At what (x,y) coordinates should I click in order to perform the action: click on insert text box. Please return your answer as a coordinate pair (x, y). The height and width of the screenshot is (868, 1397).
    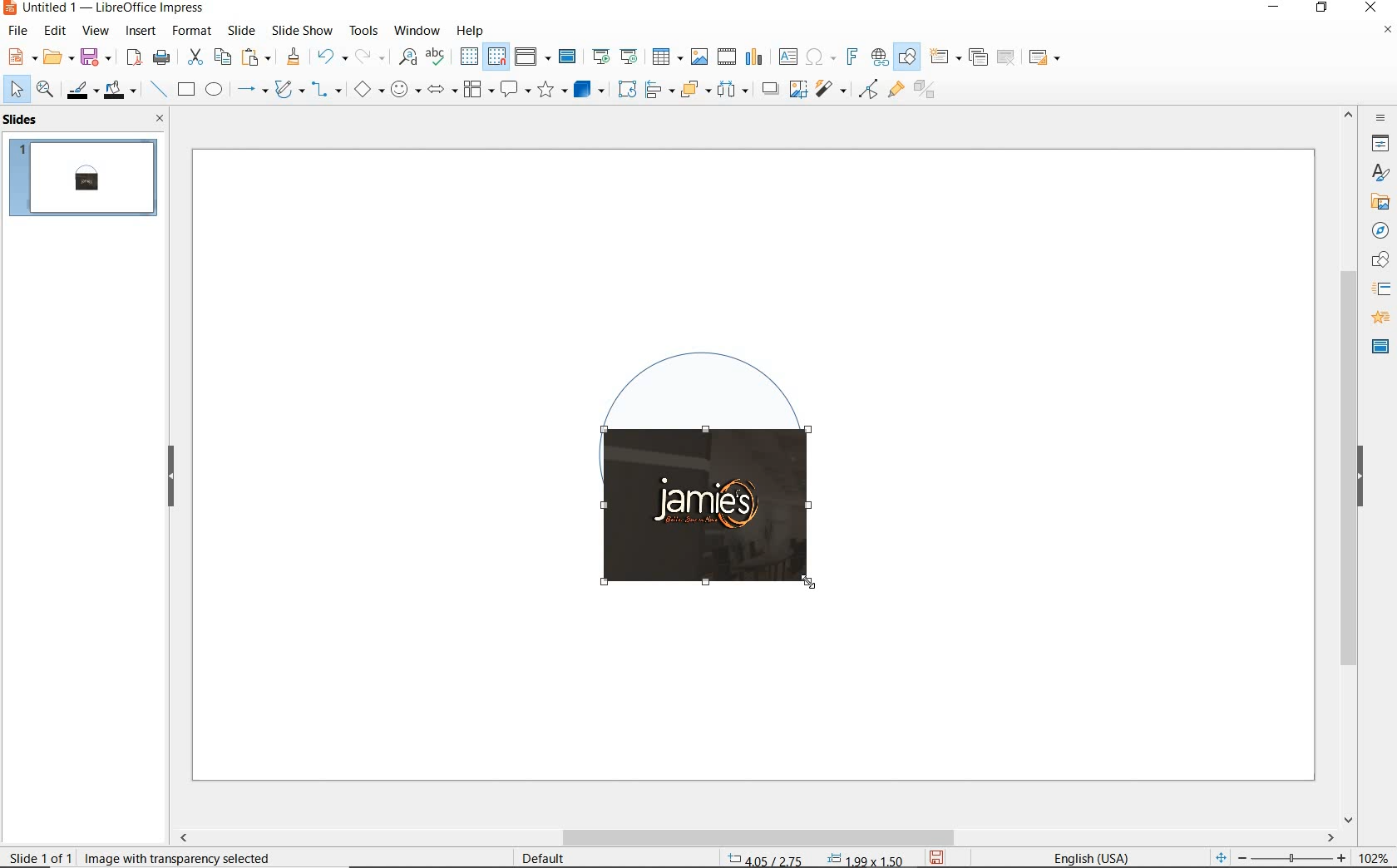
    Looking at the image, I should click on (787, 57).